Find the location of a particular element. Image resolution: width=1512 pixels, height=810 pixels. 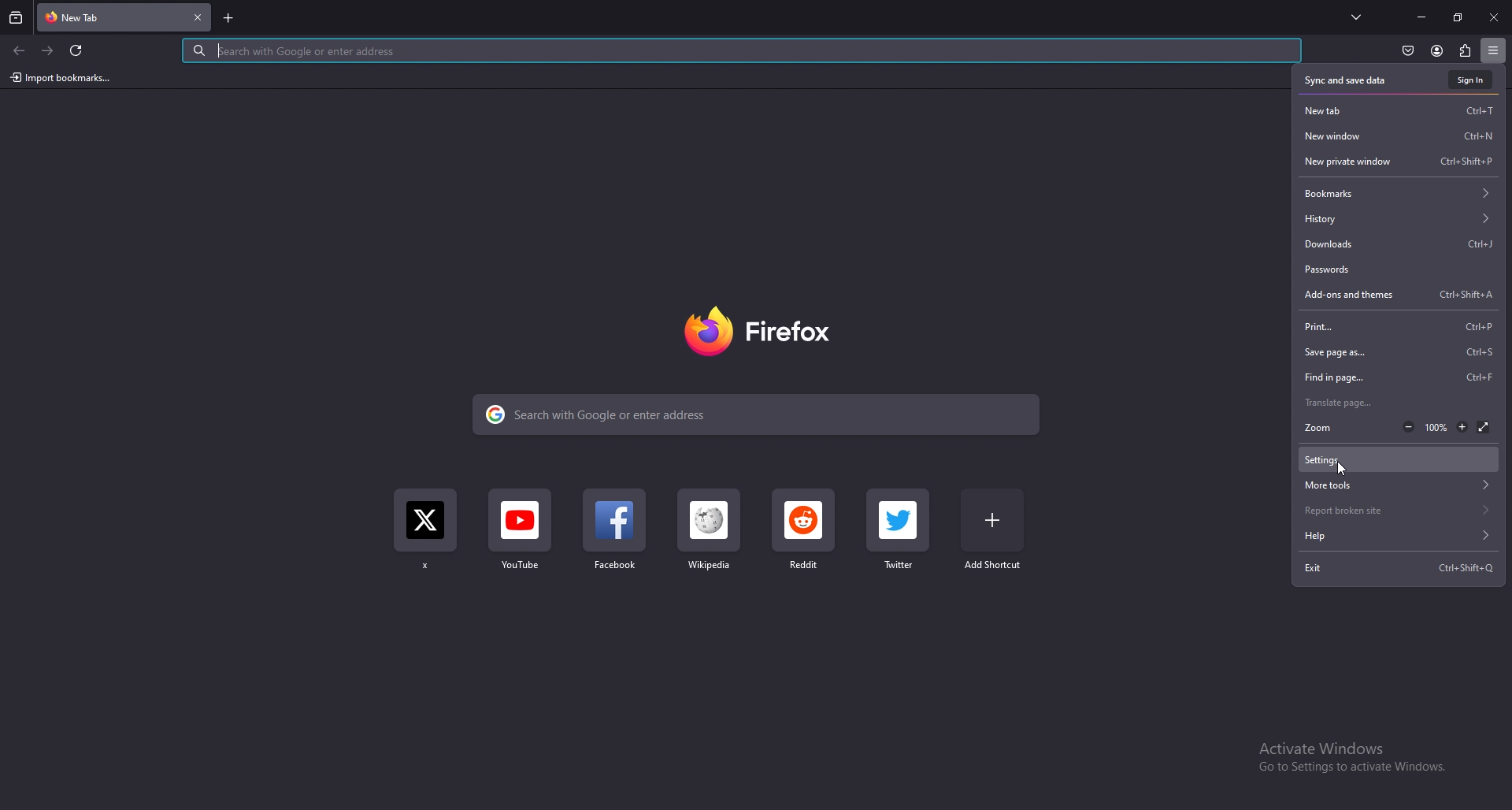

zoom is located at coordinates (1436, 428).